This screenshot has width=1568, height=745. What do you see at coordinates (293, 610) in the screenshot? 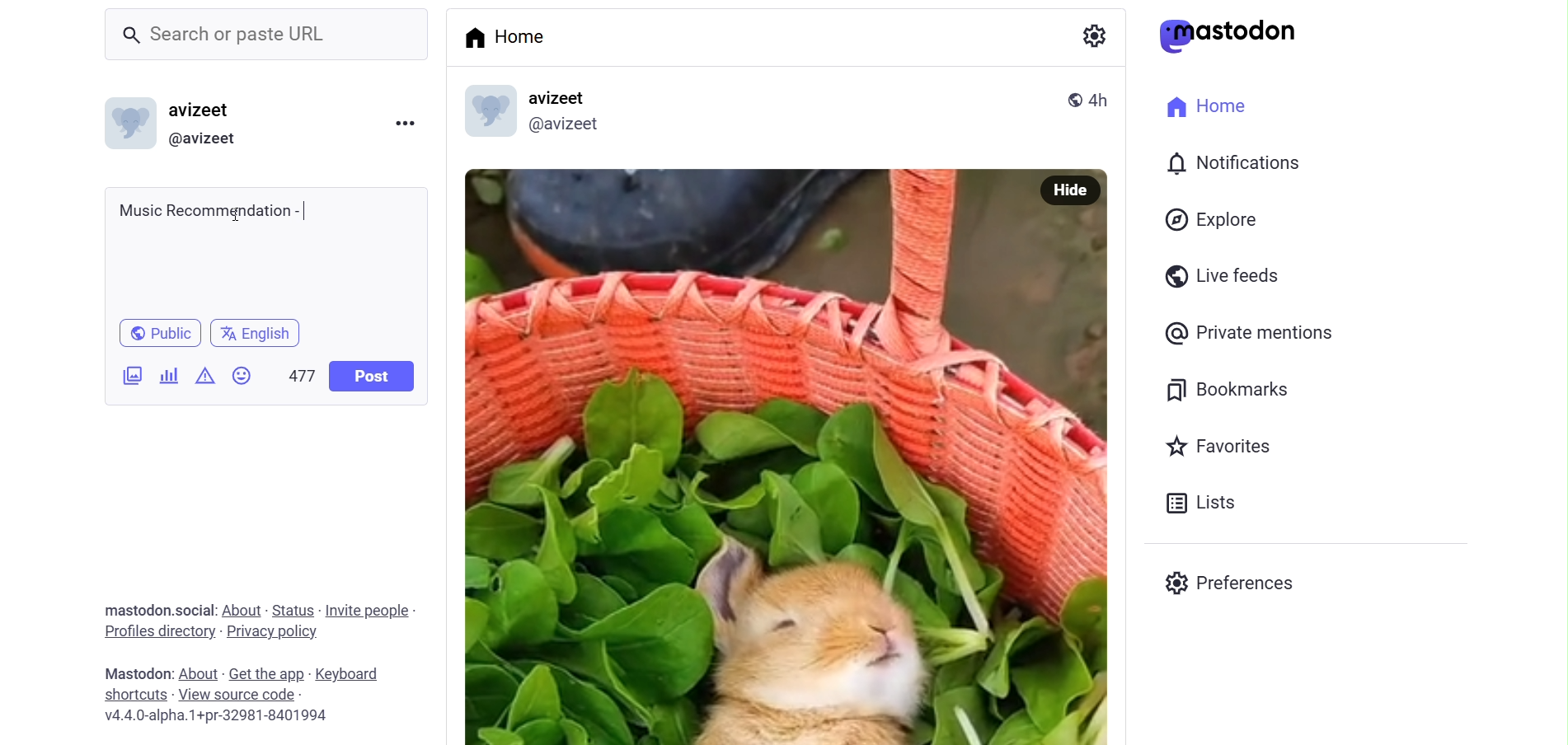
I see `status` at bounding box center [293, 610].